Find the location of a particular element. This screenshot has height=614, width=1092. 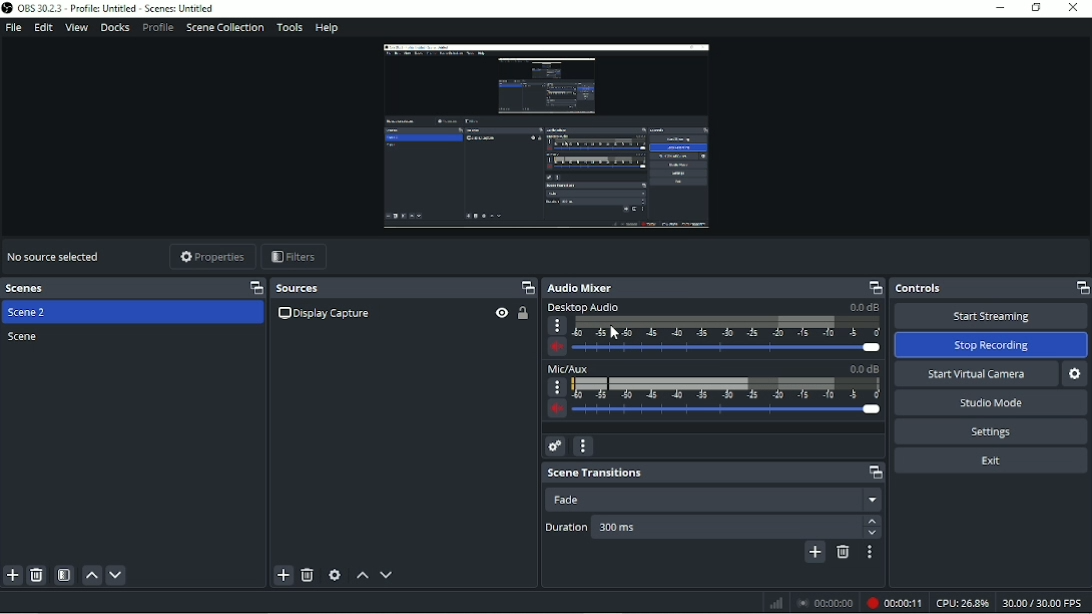

Graph is located at coordinates (775, 603).